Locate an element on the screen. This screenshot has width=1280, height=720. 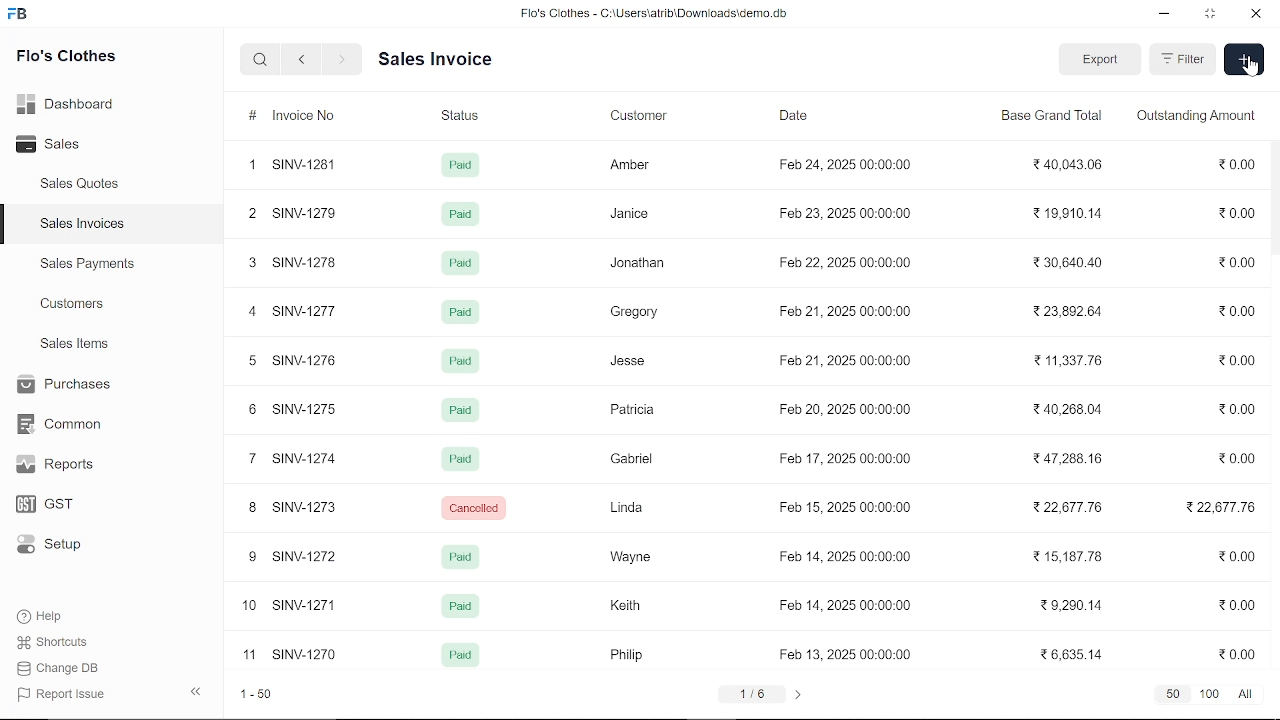
search is located at coordinates (263, 61).